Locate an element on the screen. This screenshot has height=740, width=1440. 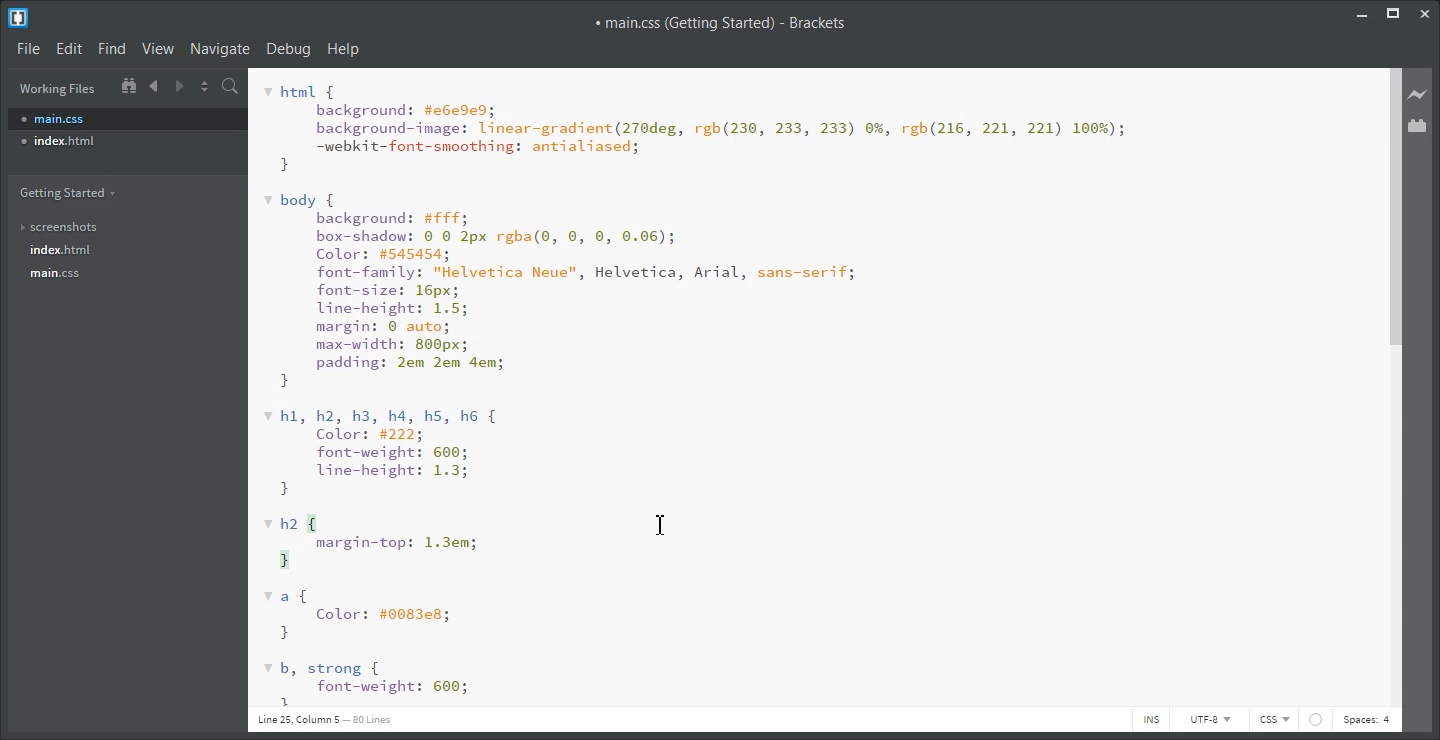
UTF-8 is located at coordinates (1208, 719).